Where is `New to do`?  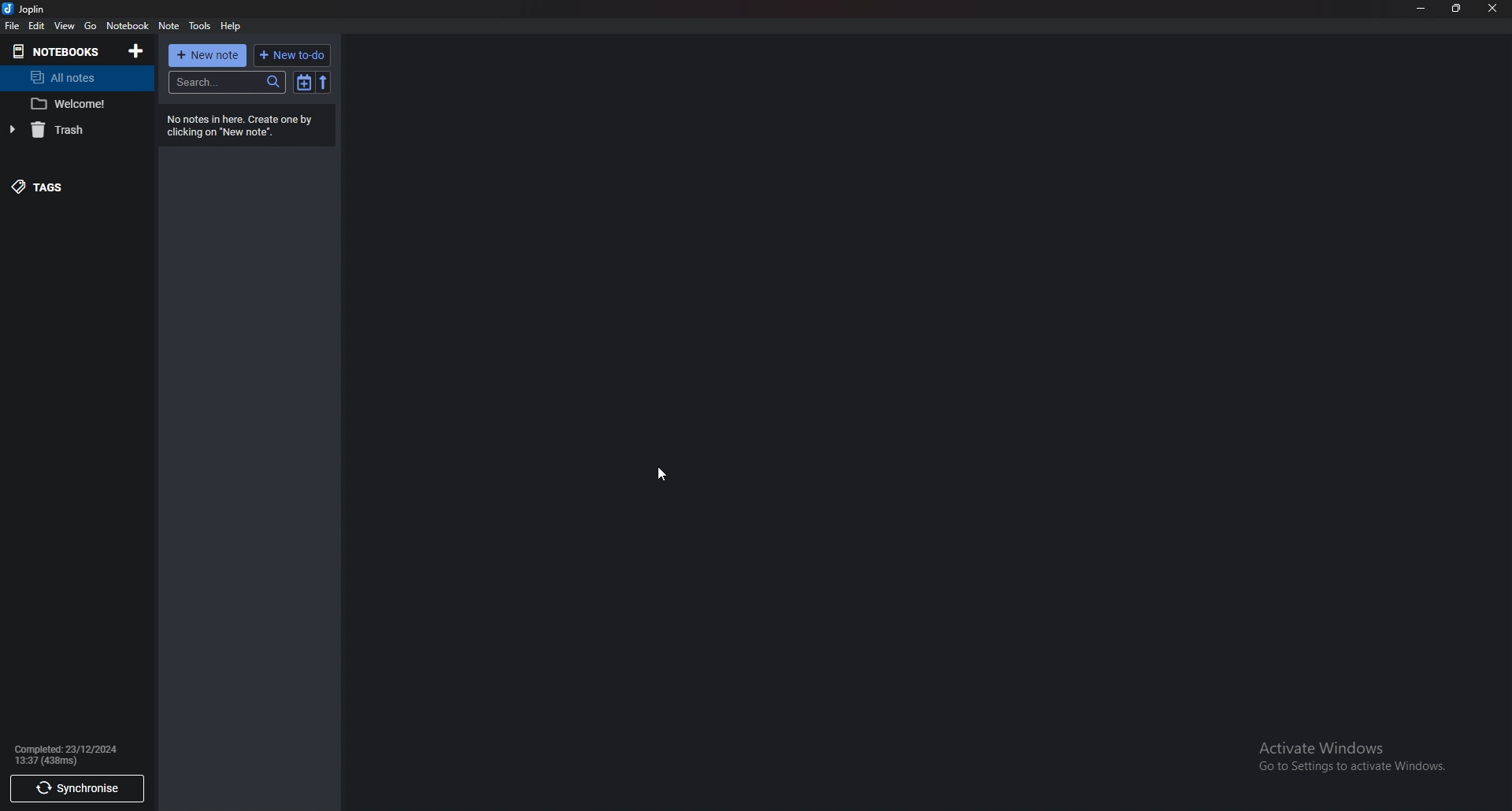 New to do is located at coordinates (295, 54).